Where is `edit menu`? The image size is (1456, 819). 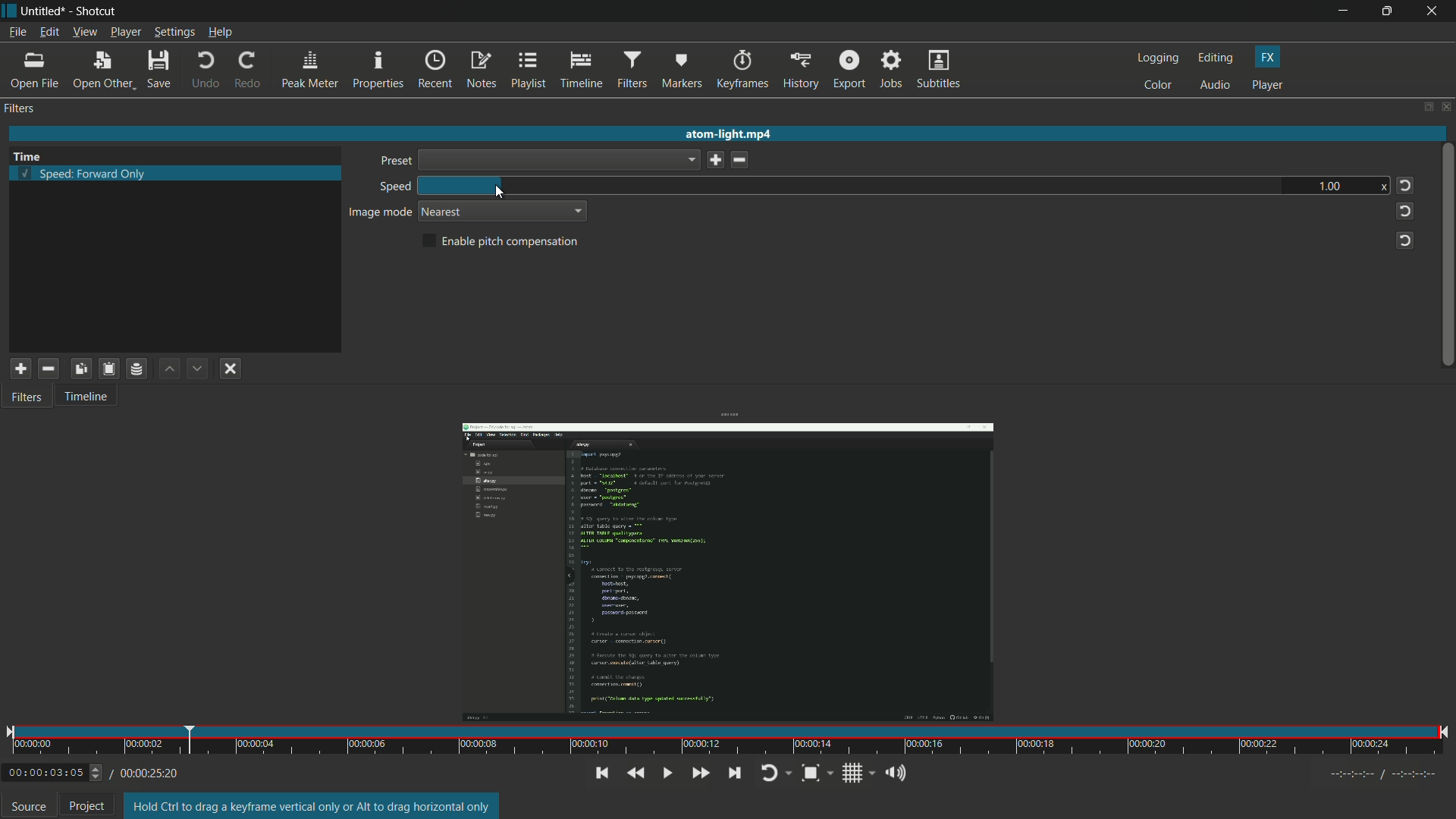
edit menu is located at coordinates (49, 32).